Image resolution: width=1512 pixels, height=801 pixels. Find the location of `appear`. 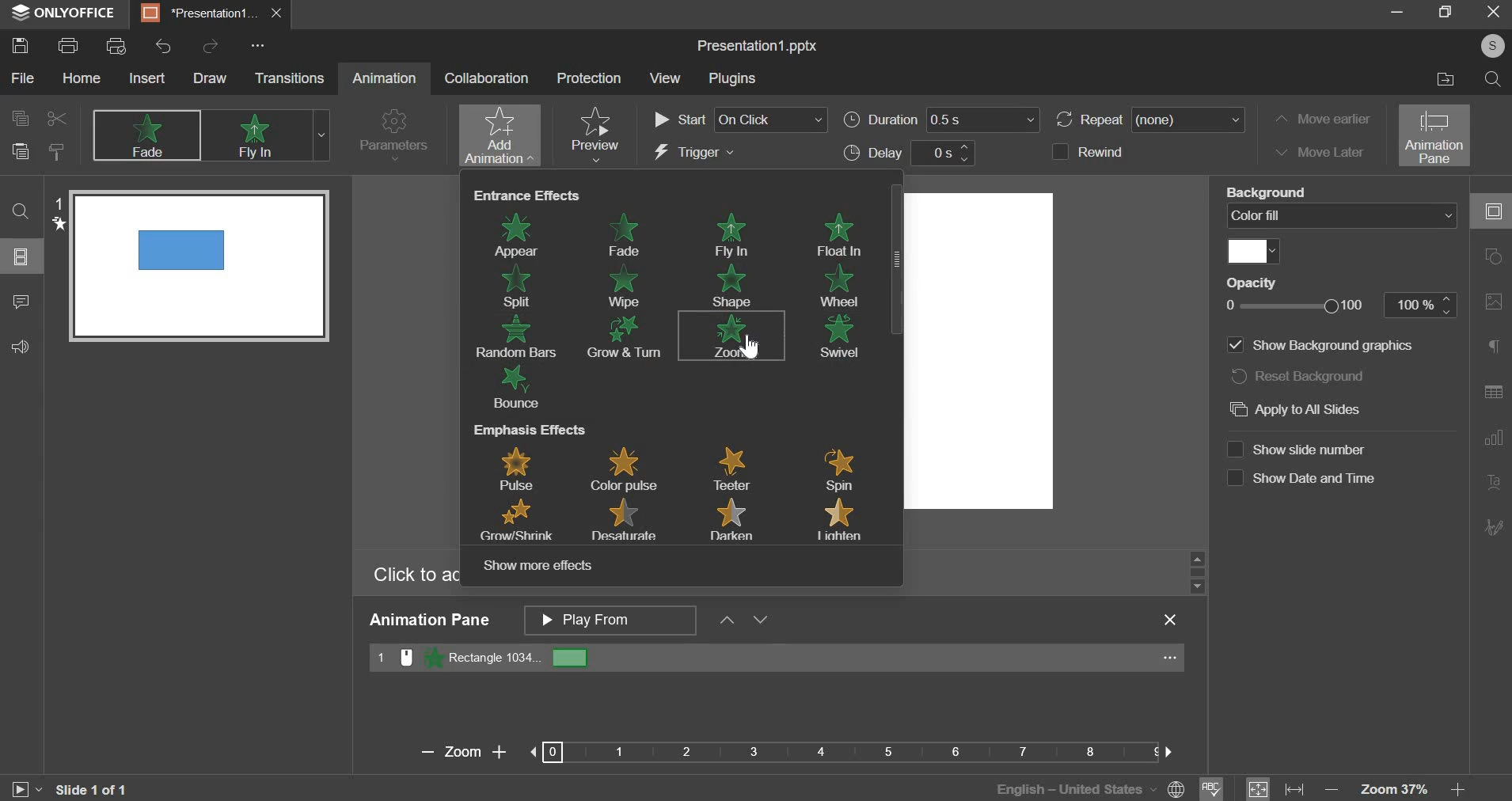

appear is located at coordinates (259, 135).